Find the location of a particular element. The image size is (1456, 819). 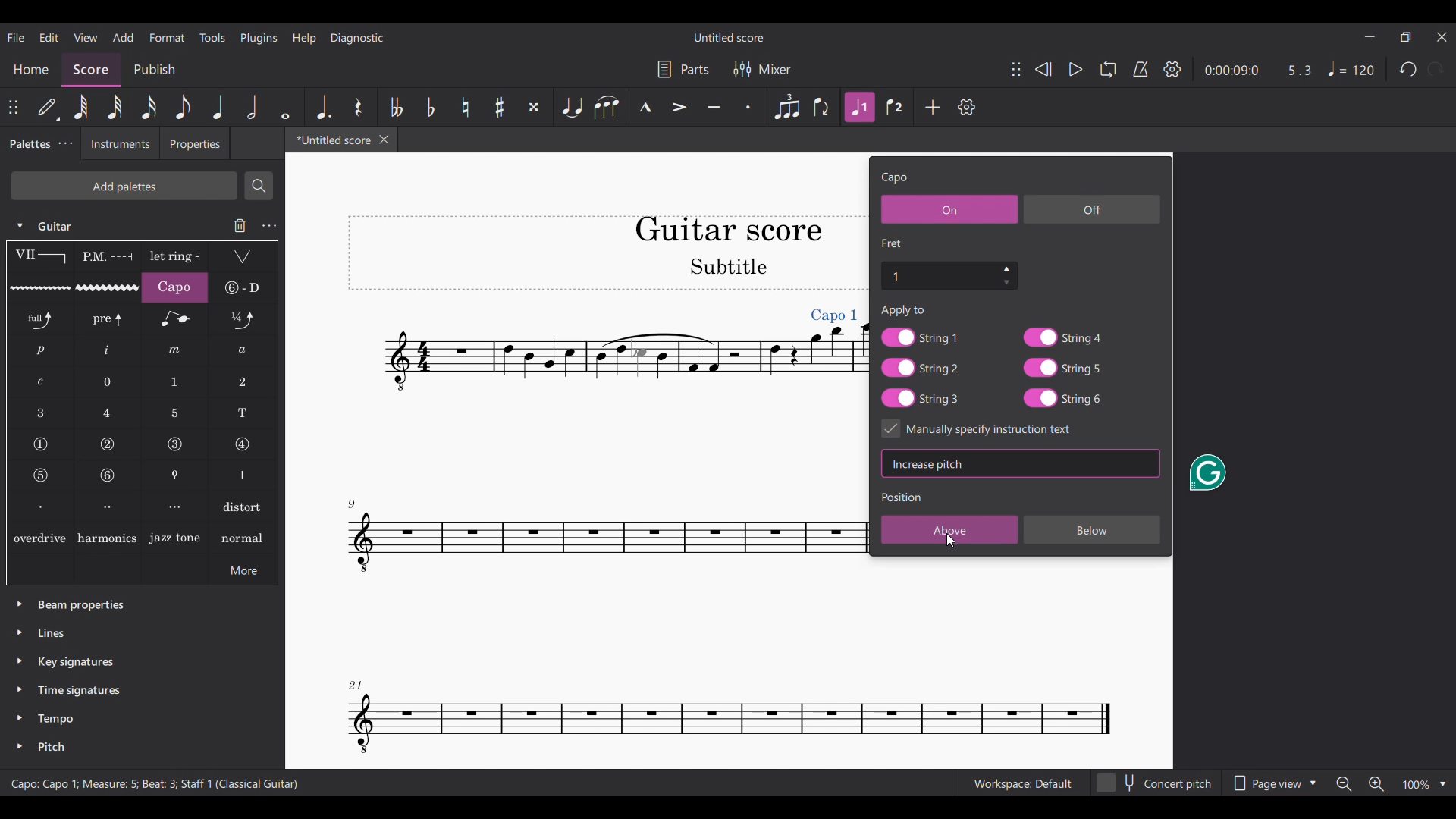

64th note is located at coordinates (81, 107).